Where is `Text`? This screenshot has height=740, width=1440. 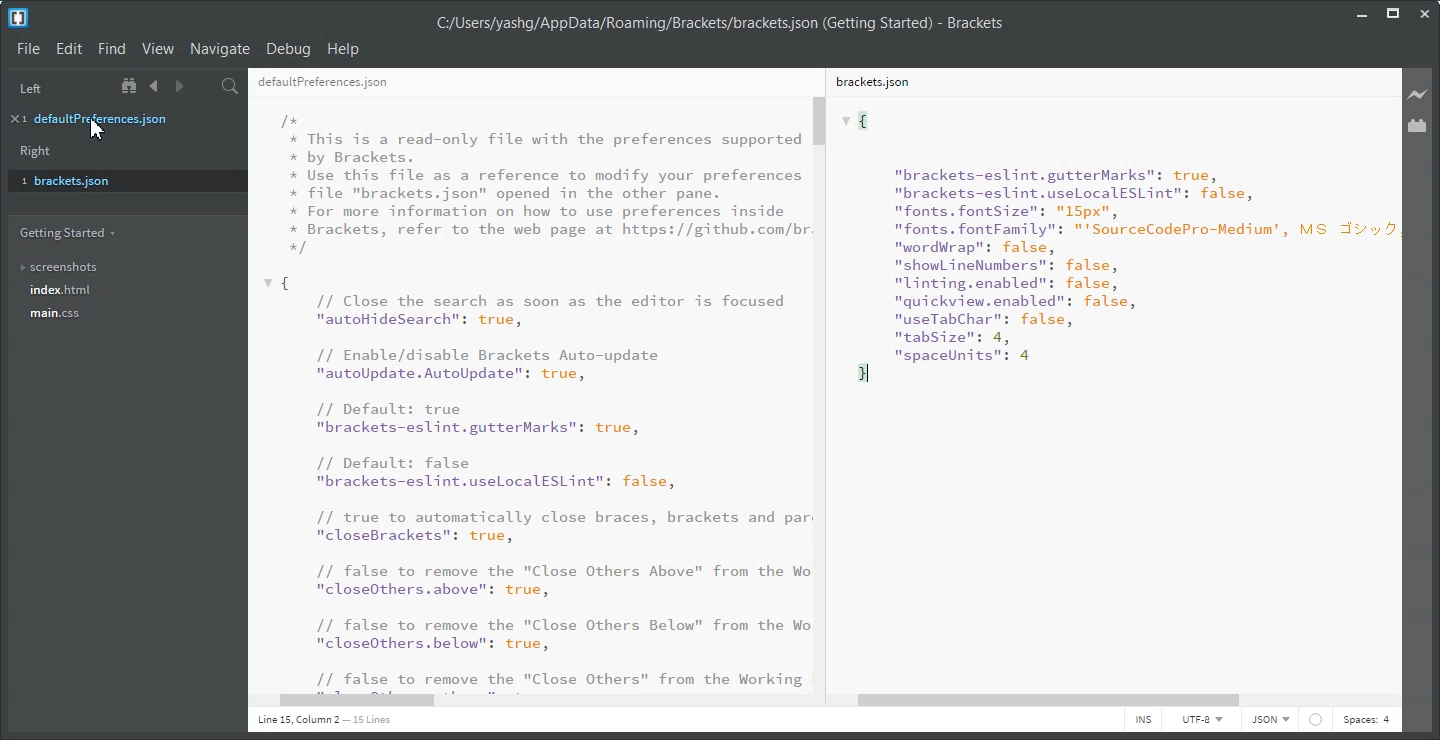
Text is located at coordinates (1106, 392).